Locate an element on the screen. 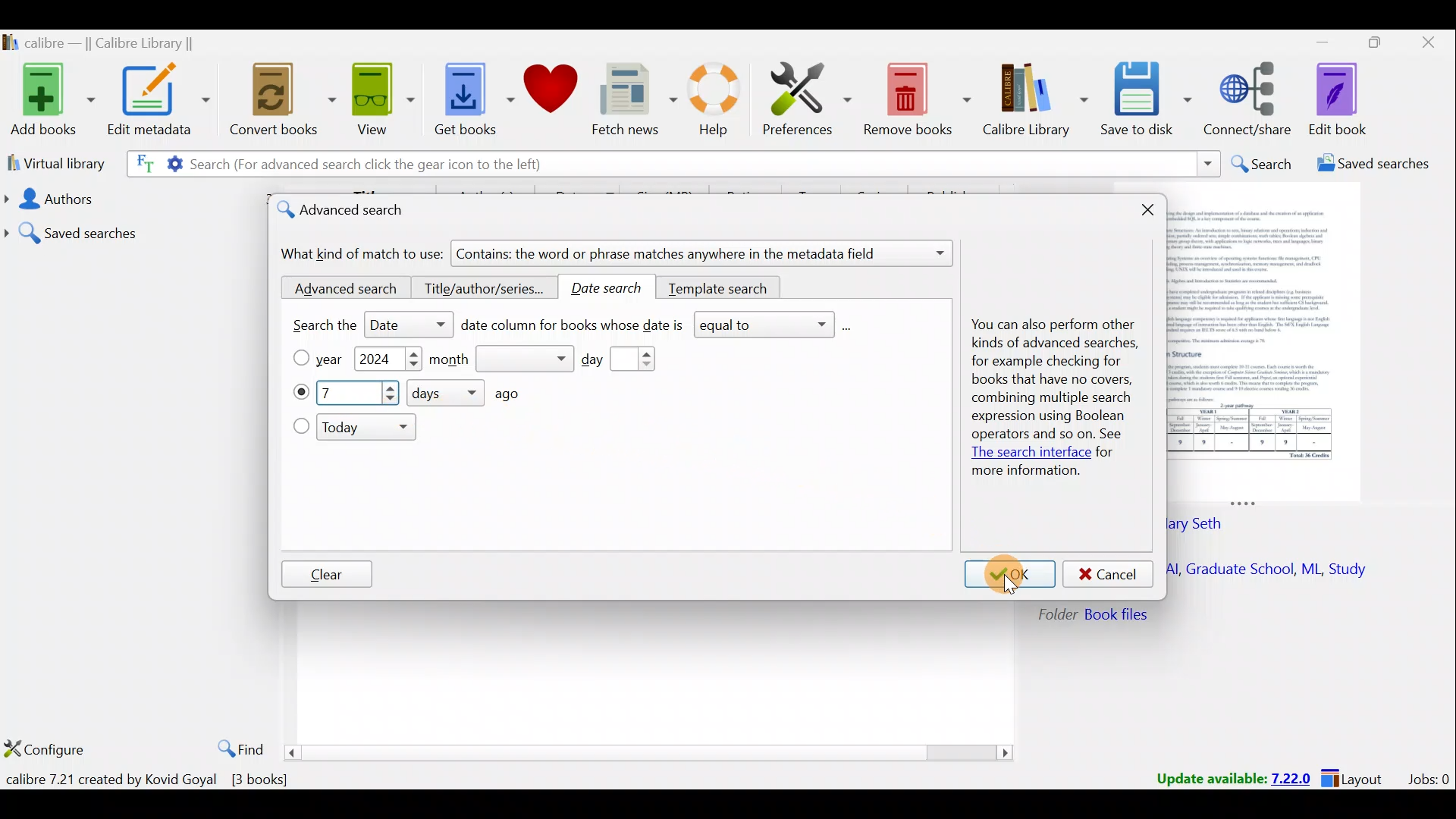  Search dropdown is located at coordinates (1207, 164).